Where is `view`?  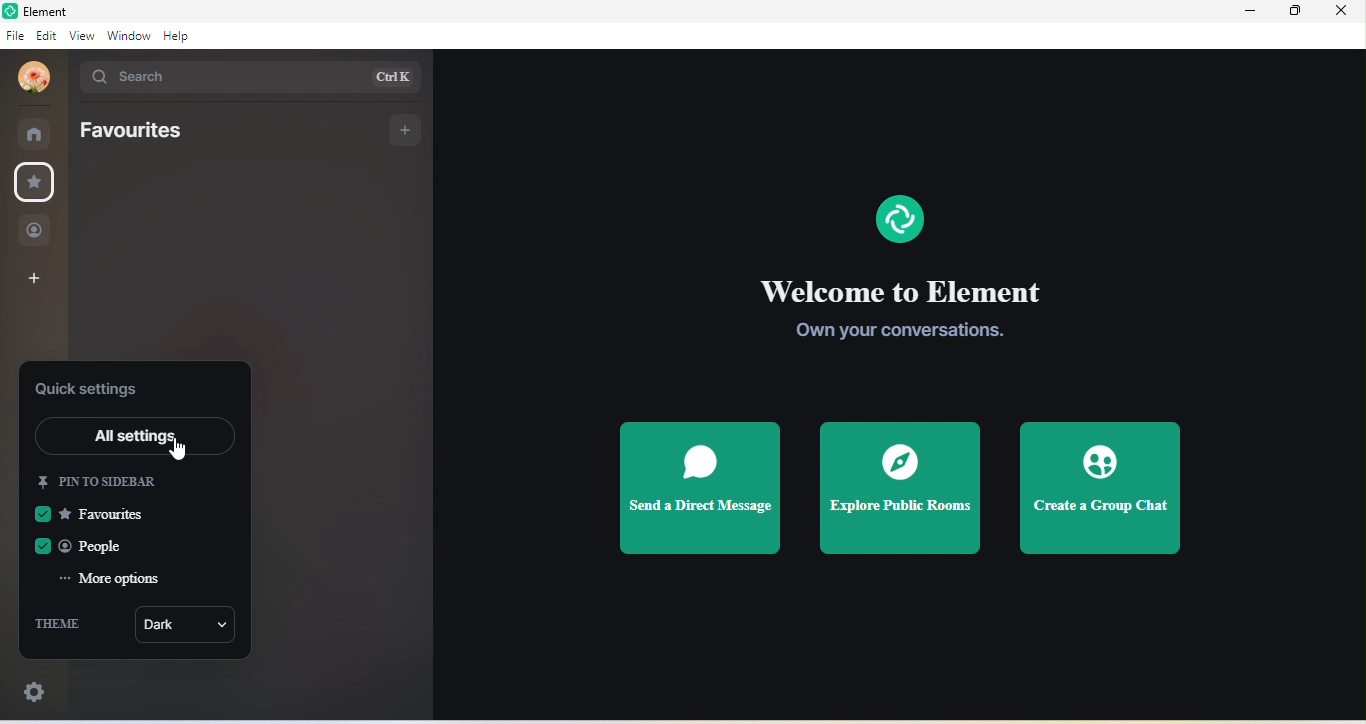
view is located at coordinates (83, 36).